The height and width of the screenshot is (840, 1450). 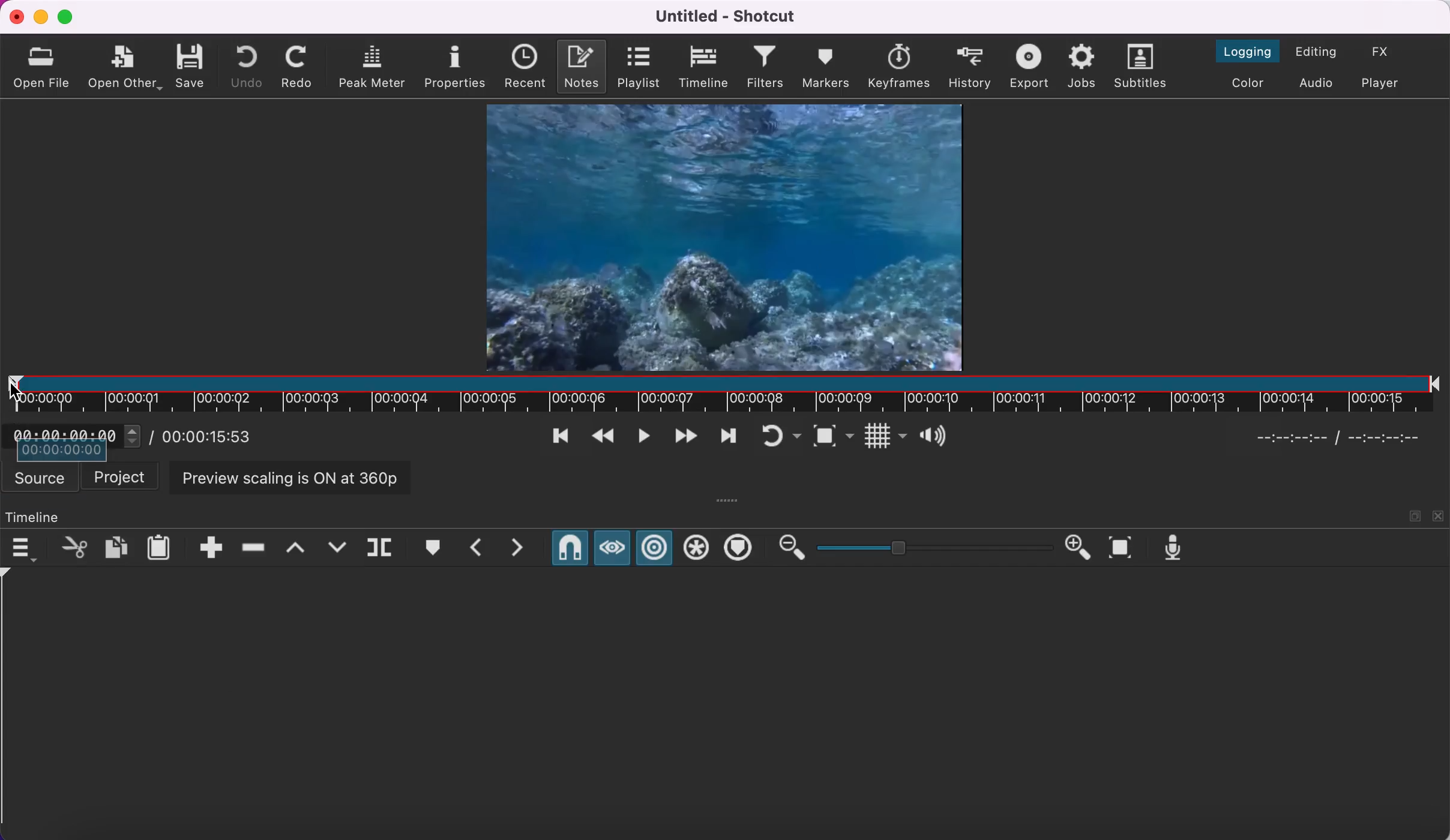 I want to click on markers, so click(x=826, y=68).